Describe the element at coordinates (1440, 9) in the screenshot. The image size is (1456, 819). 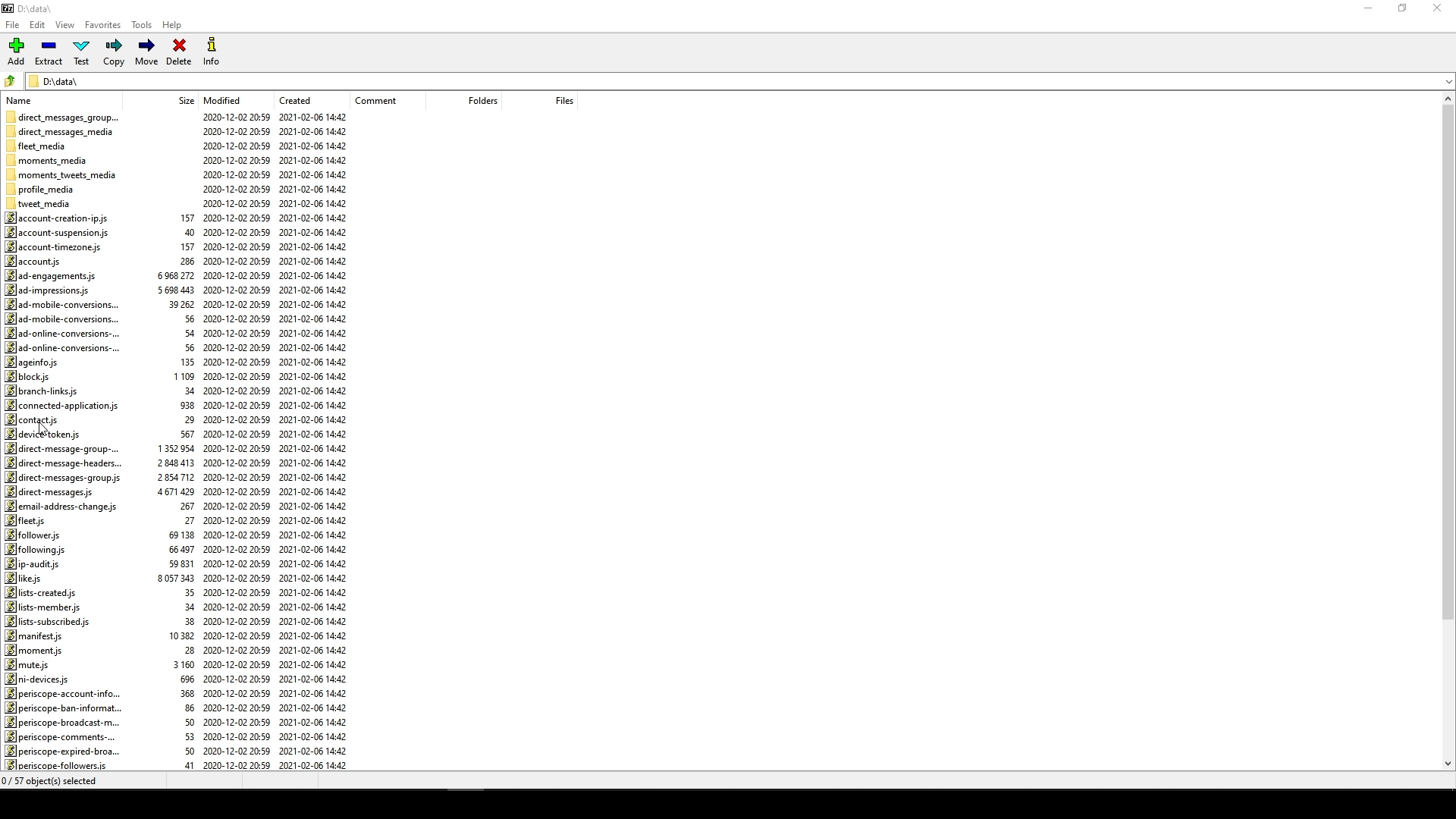
I see `close` at that location.